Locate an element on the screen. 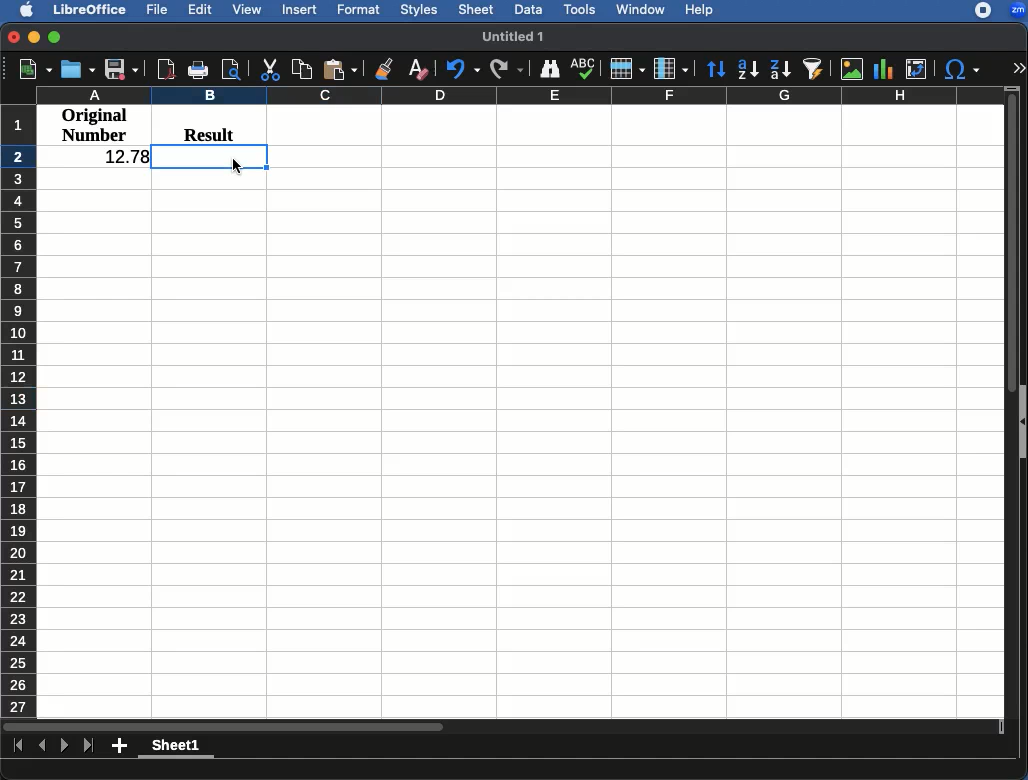  Original number is located at coordinates (95, 127).